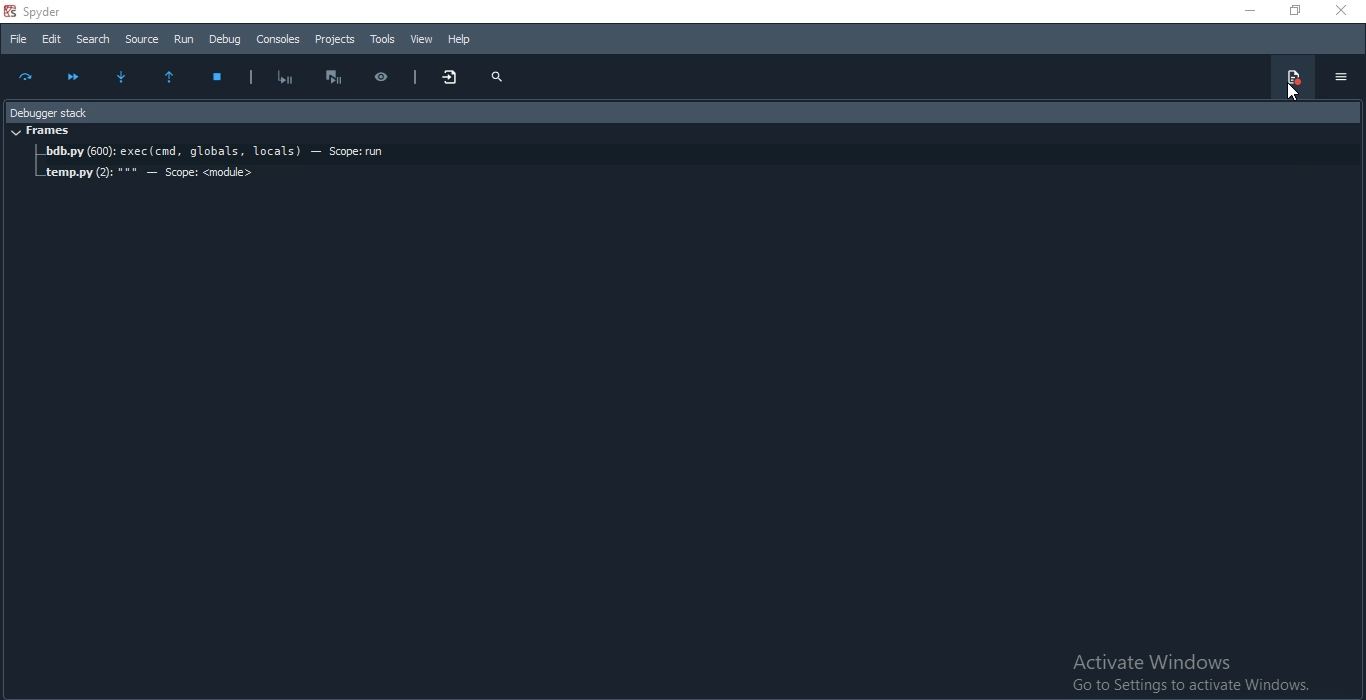 This screenshot has height=700, width=1366. What do you see at coordinates (452, 78) in the screenshot?
I see `More` at bounding box center [452, 78].